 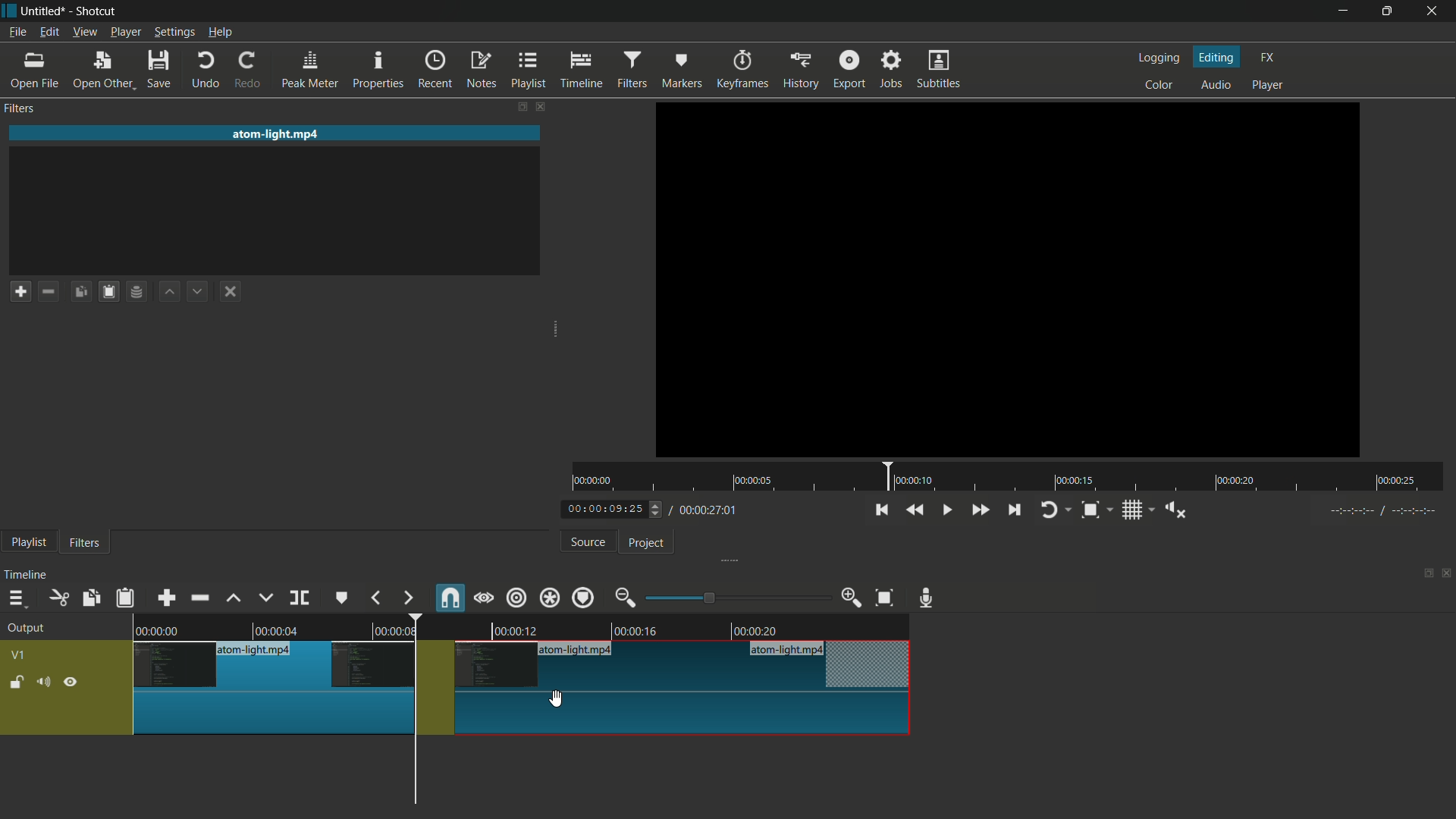 I want to click on create or edit marker, so click(x=342, y=599).